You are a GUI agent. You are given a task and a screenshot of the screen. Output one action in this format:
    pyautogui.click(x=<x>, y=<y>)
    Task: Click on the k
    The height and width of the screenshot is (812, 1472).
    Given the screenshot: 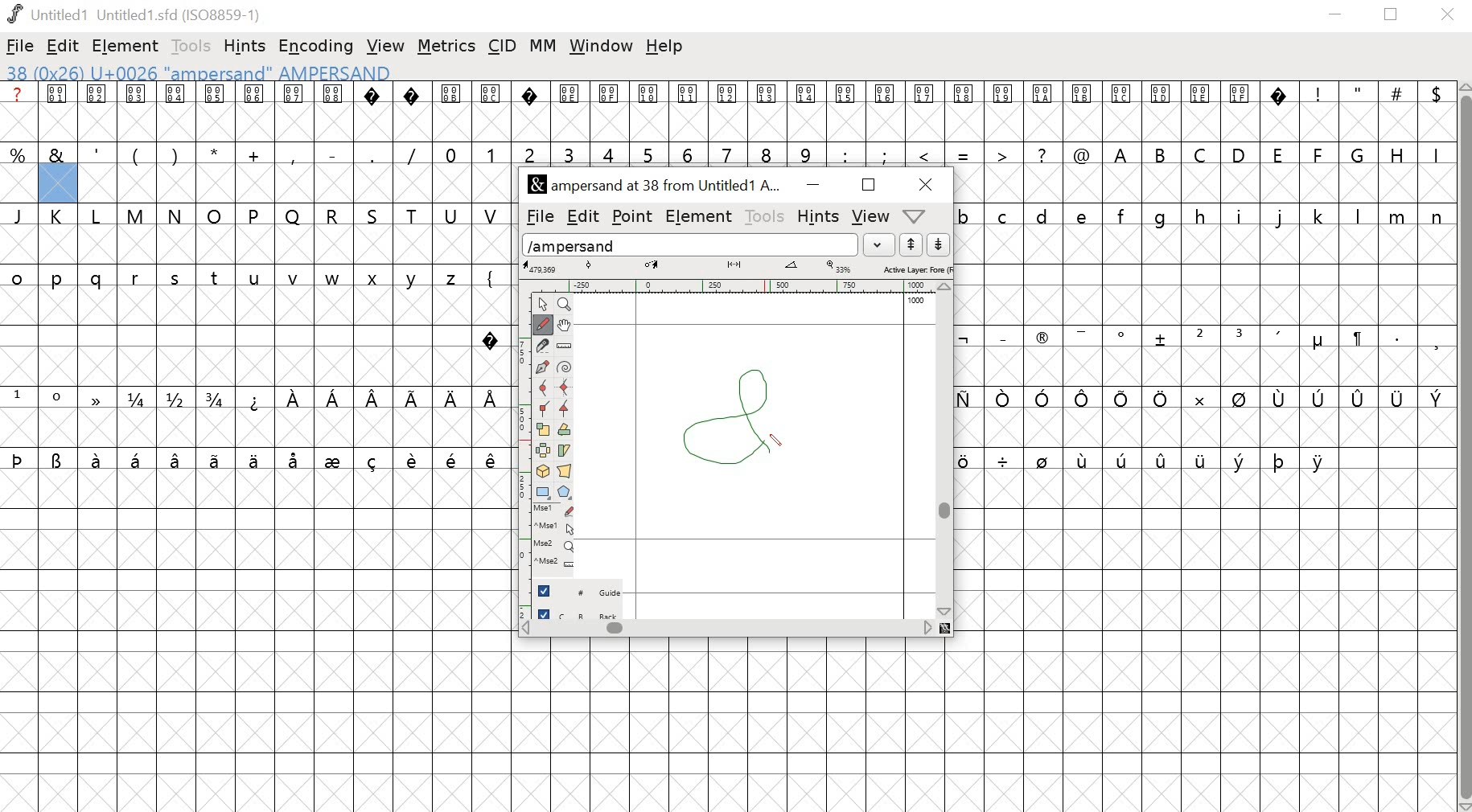 What is the action you would take?
    pyautogui.click(x=1318, y=215)
    